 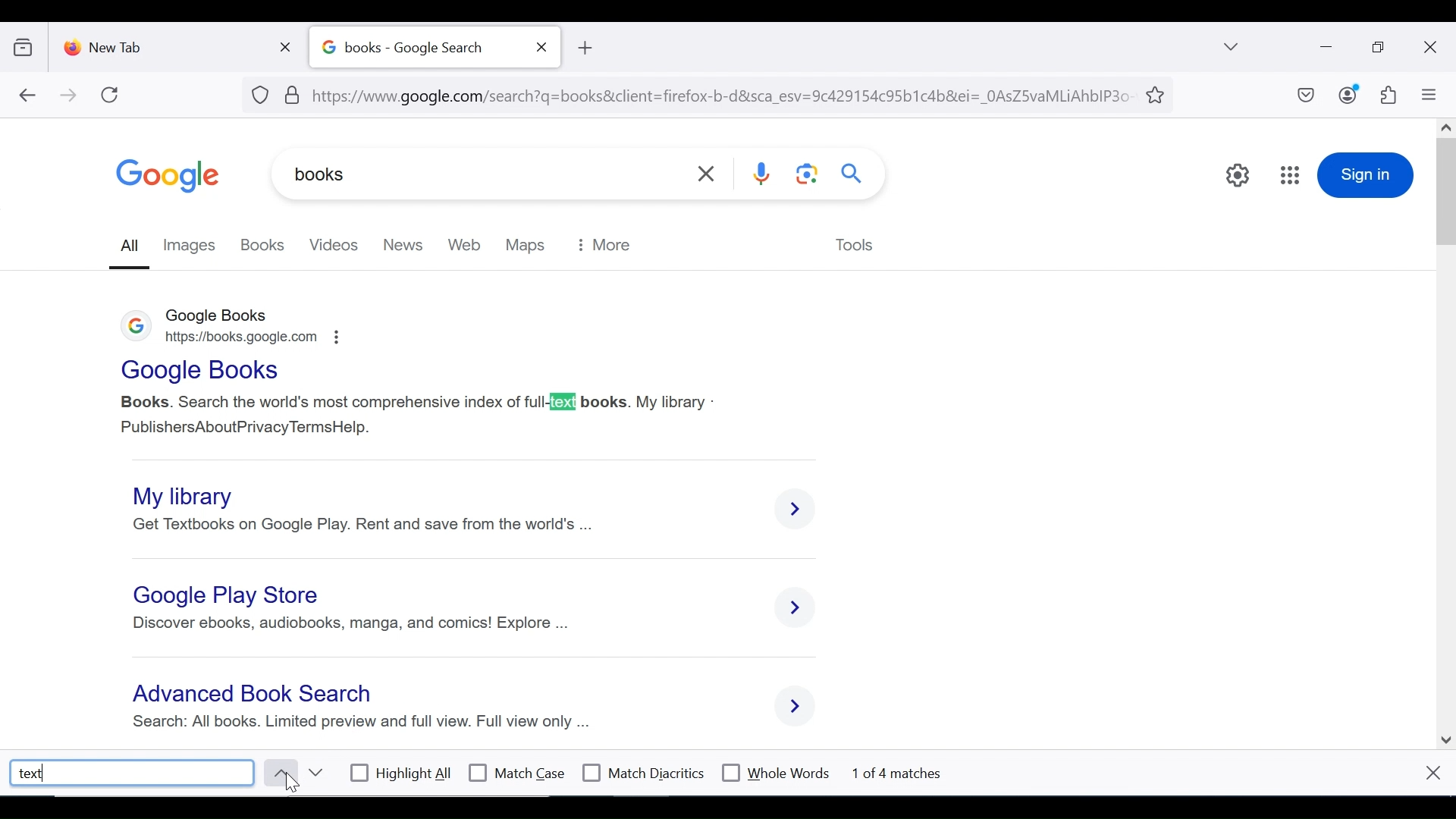 I want to click on list all tabs, so click(x=1232, y=46).